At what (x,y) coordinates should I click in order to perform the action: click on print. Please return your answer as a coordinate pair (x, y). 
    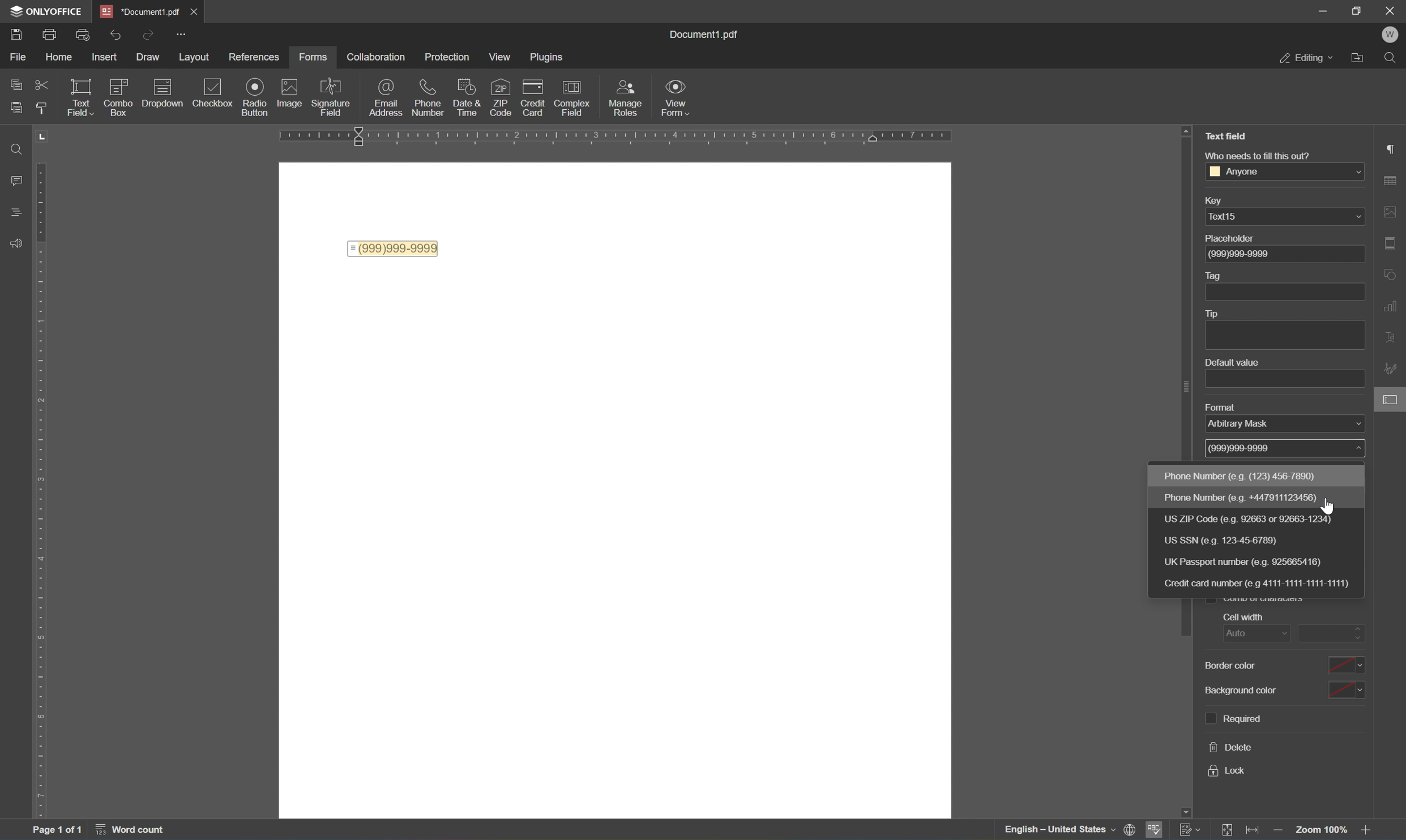
    Looking at the image, I should click on (84, 36).